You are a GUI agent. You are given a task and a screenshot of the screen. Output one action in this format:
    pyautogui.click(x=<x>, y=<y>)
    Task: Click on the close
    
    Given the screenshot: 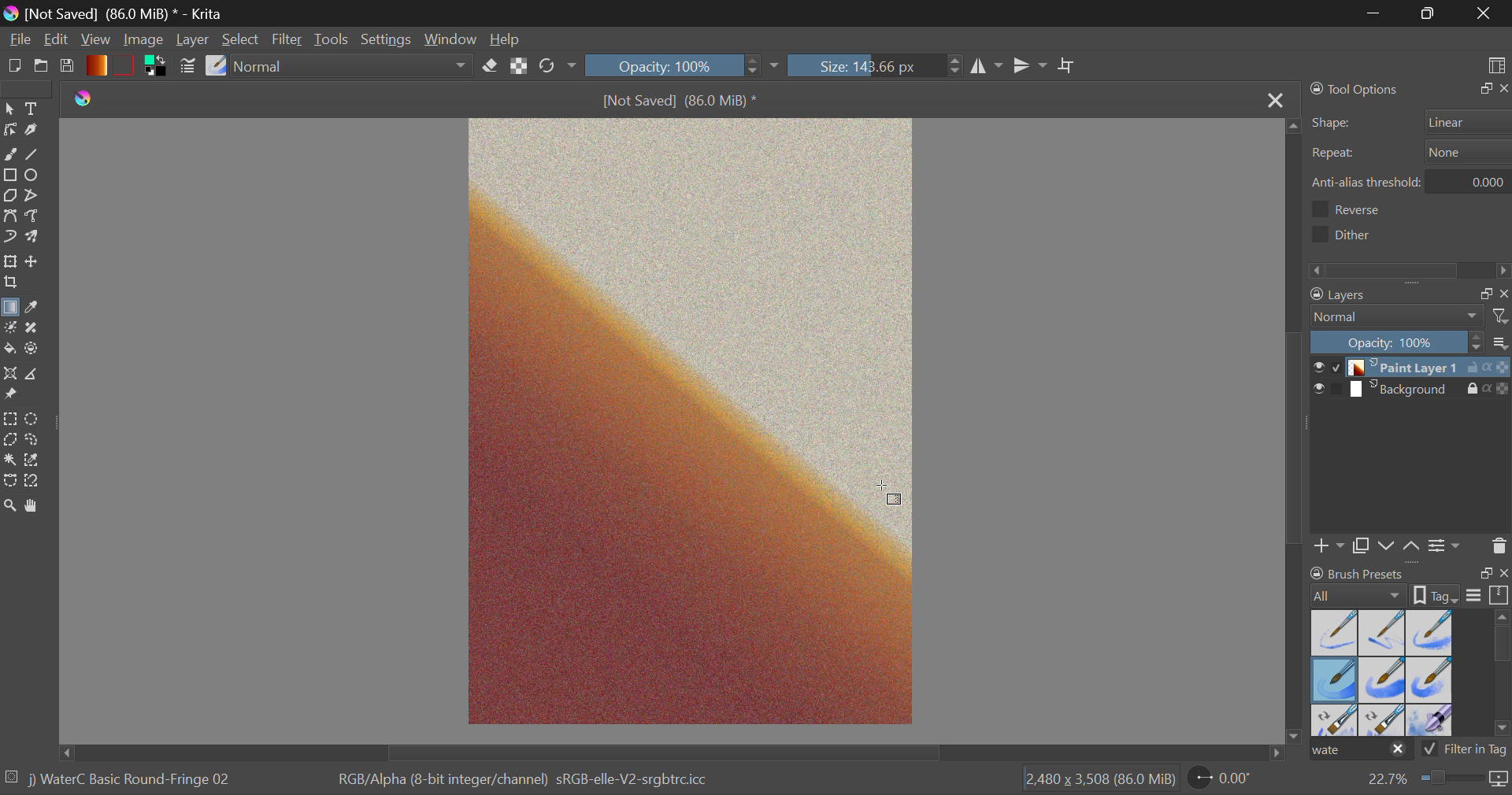 What is the action you would take?
    pyautogui.click(x=1503, y=294)
    